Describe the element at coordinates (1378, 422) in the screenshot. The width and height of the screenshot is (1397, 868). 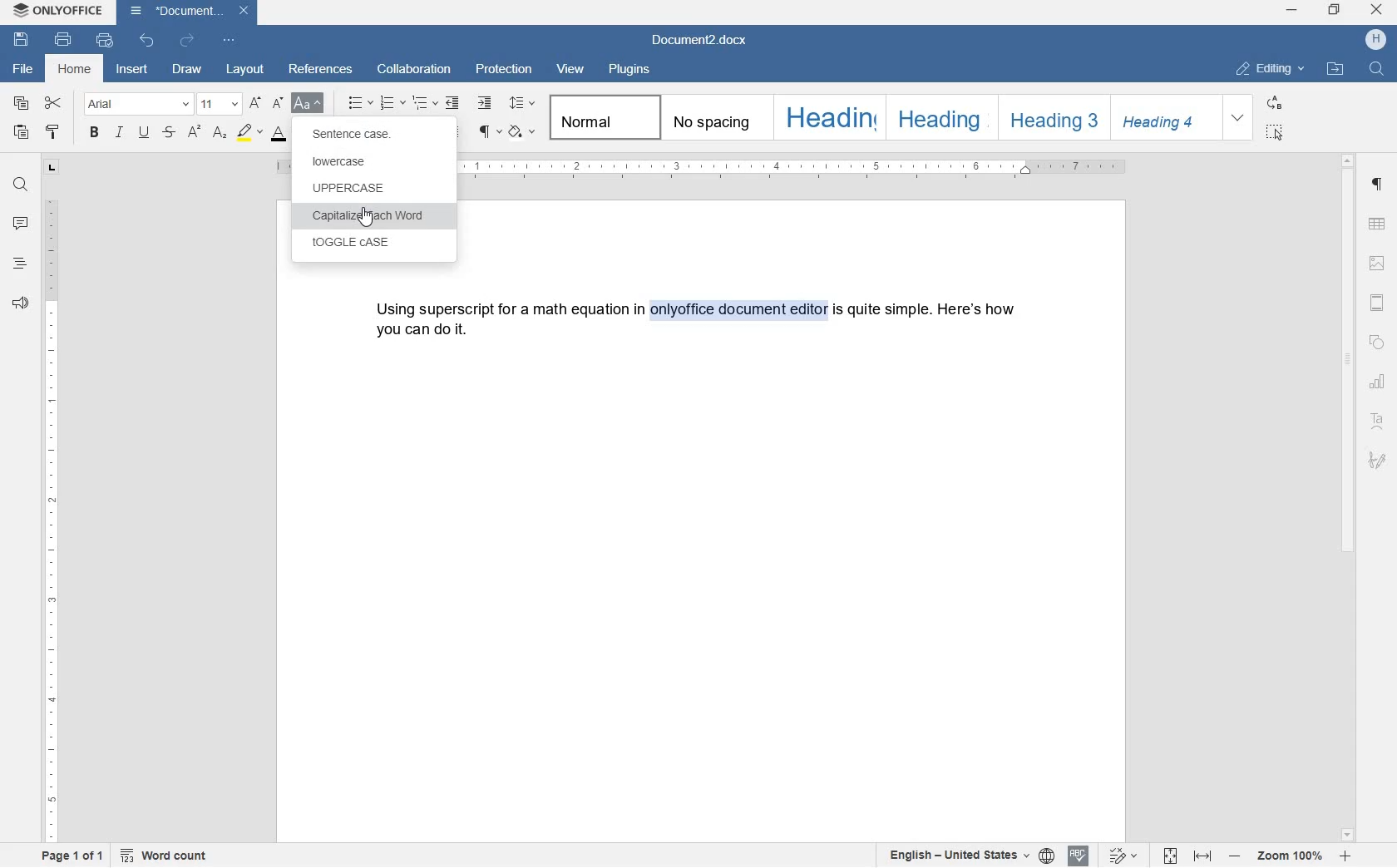
I see `Text Art` at that location.